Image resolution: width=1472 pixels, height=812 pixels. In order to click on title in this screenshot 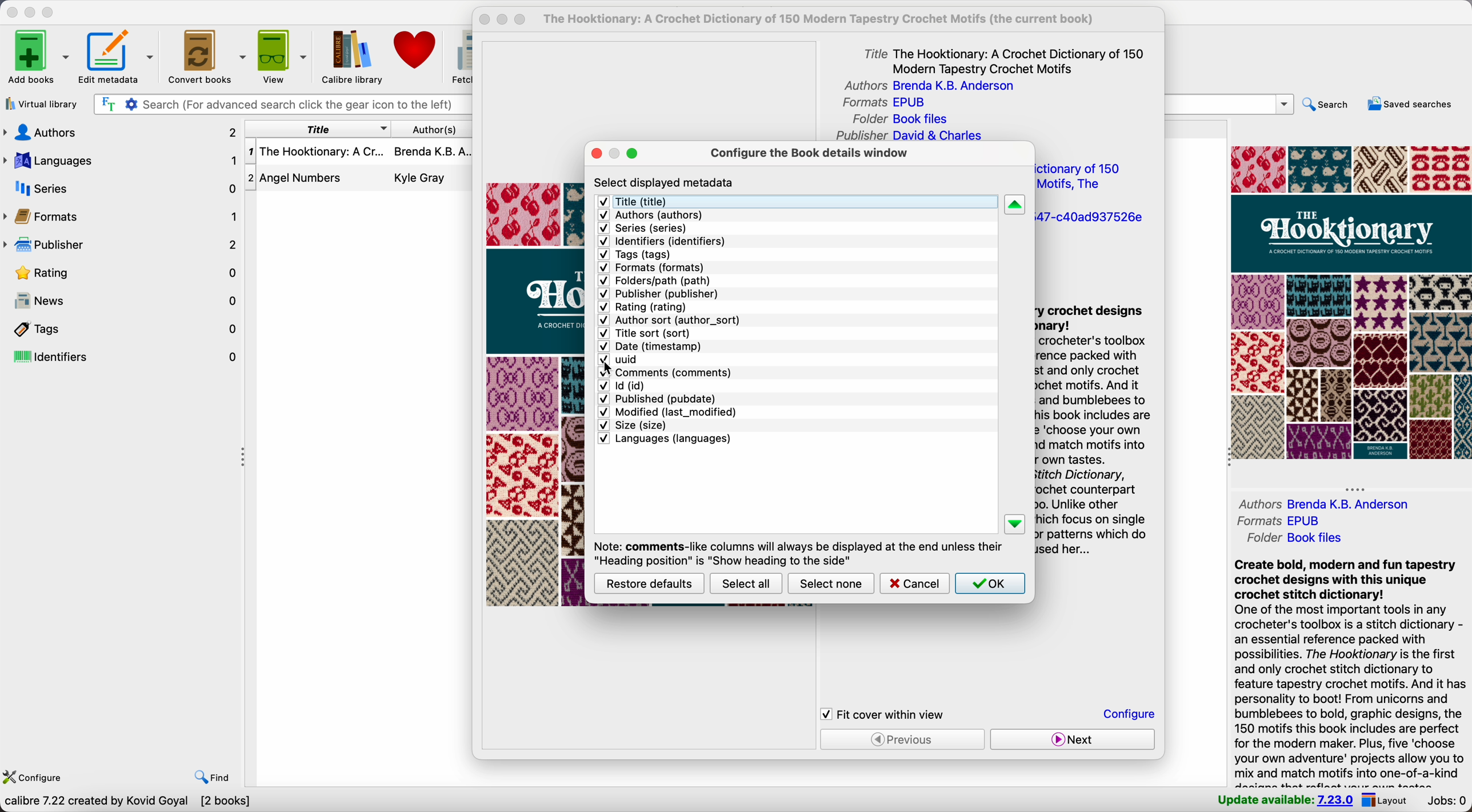, I will do `click(315, 129)`.